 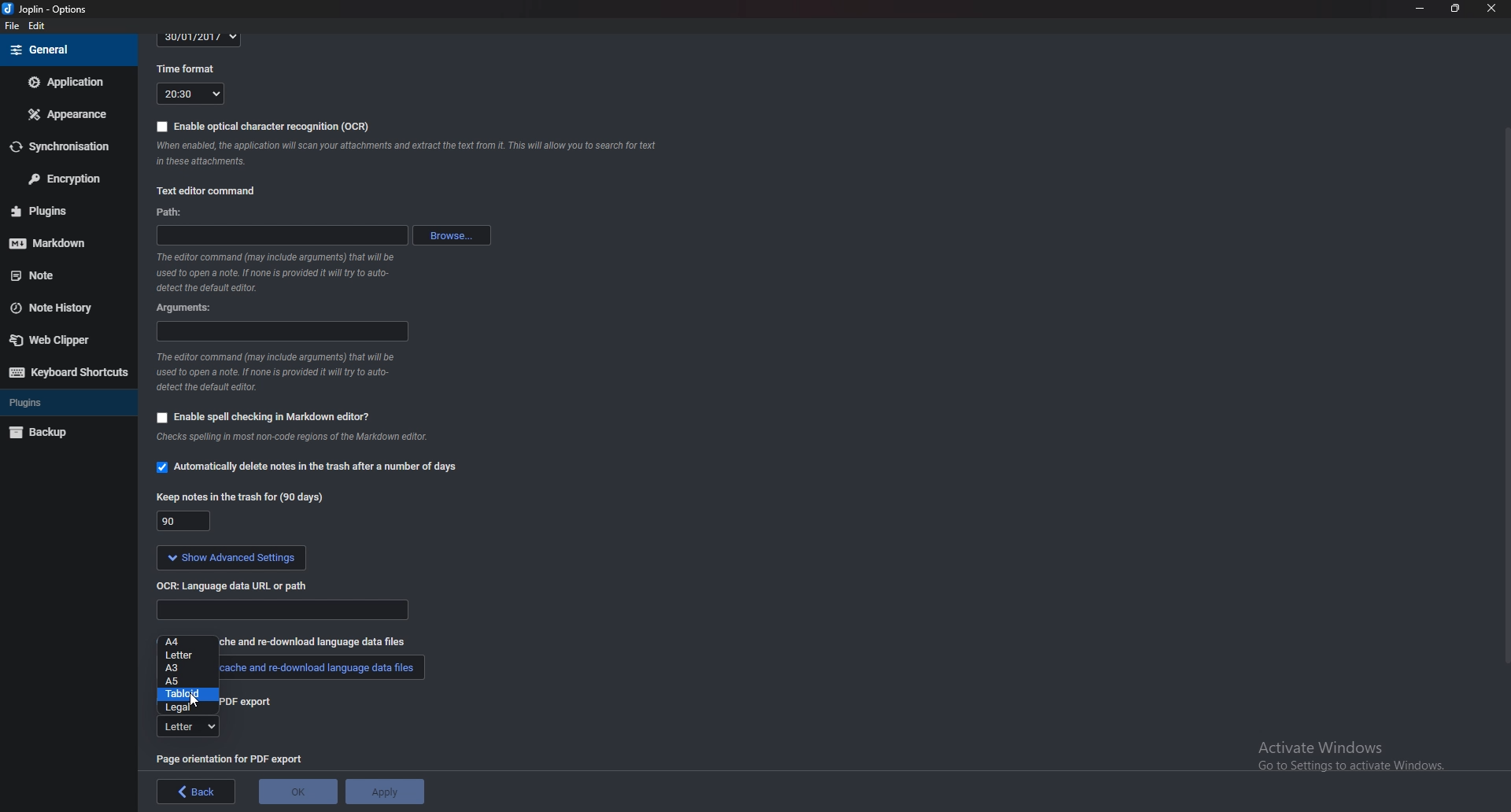 What do you see at coordinates (275, 372) in the screenshot?
I see `Info` at bounding box center [275, 372].